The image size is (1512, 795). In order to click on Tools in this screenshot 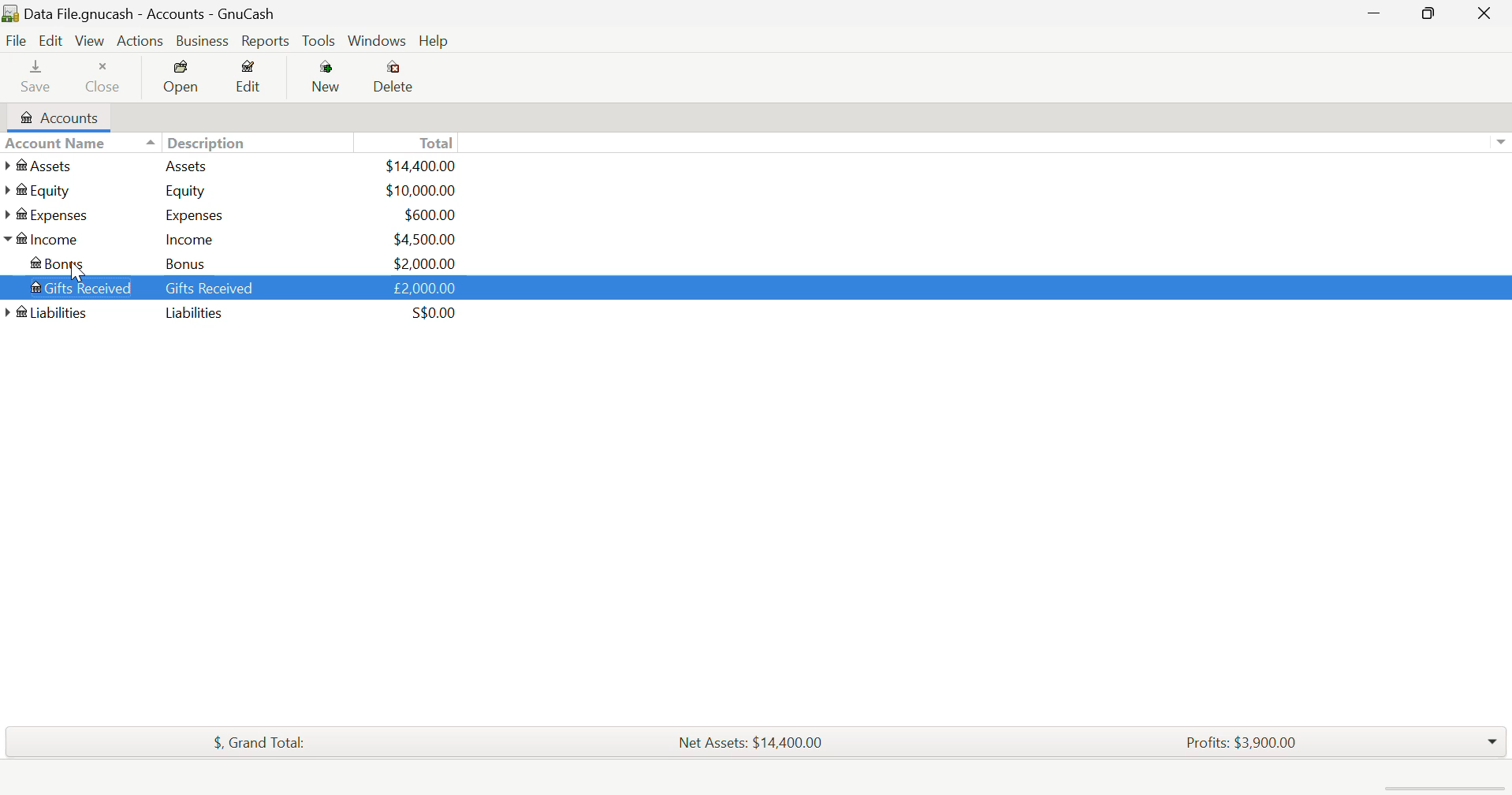, I will do `click(319, 40)`.